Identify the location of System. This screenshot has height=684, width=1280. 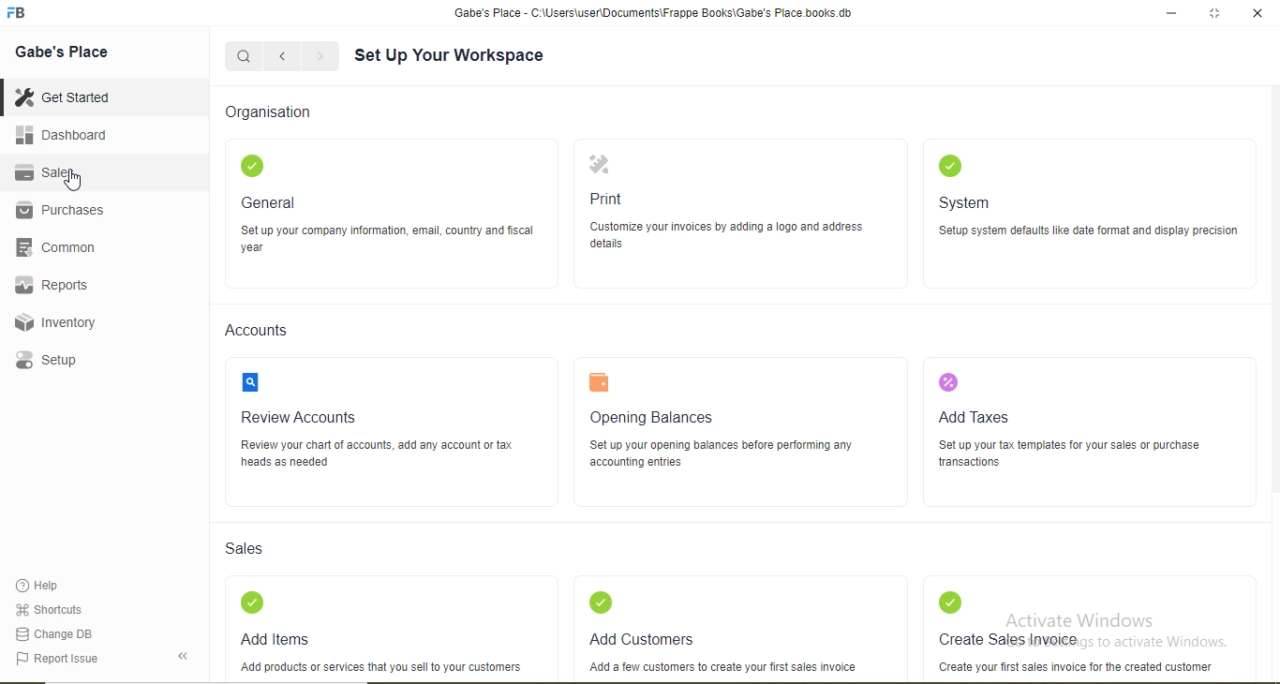
(971, 202).